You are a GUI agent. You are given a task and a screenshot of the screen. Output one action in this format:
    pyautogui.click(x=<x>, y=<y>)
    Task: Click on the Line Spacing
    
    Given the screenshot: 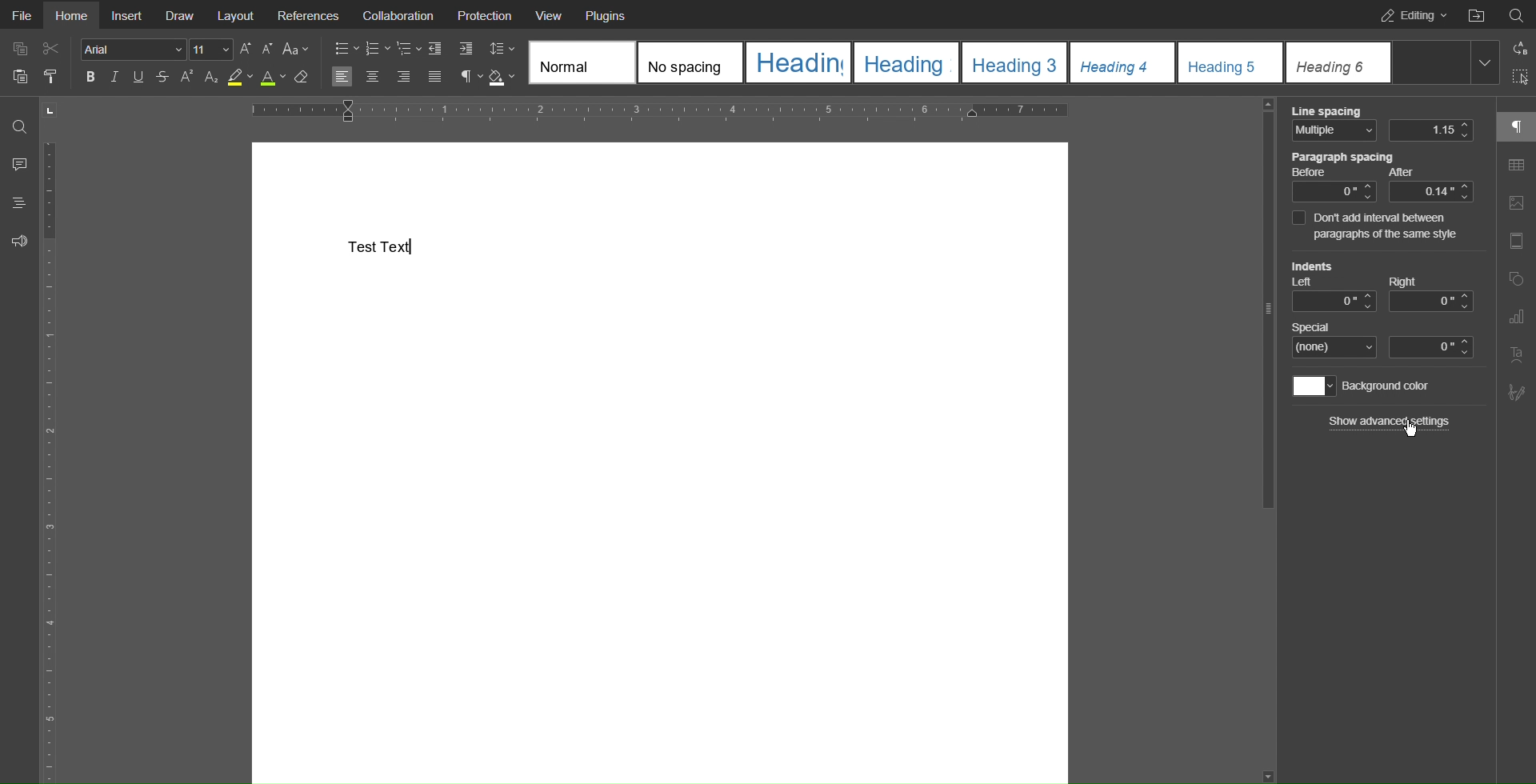 What is the action you would take?
    pyautogui.click(x=1382, y=124)
    